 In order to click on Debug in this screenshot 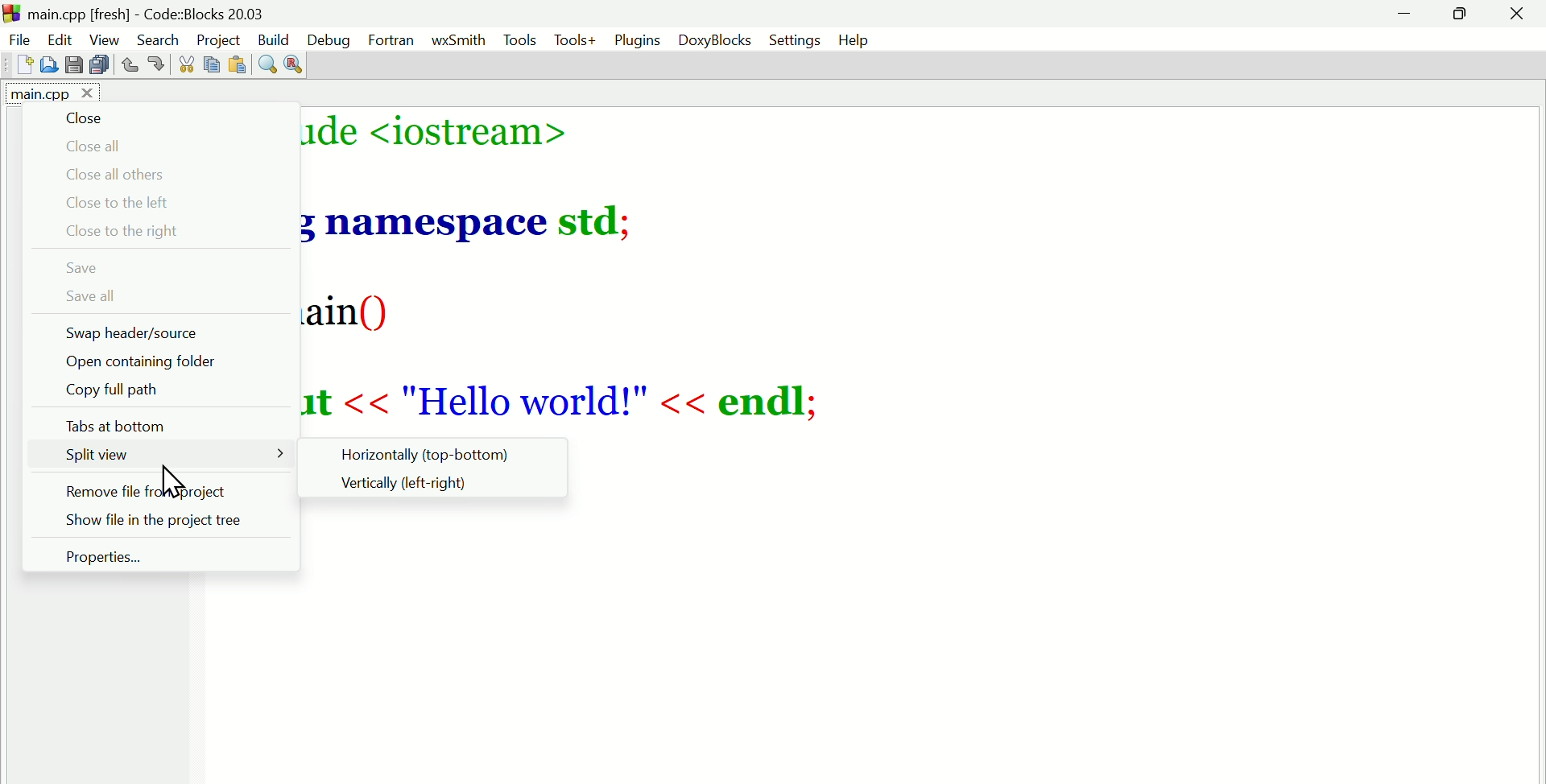, I will do `click(329, 39)`.